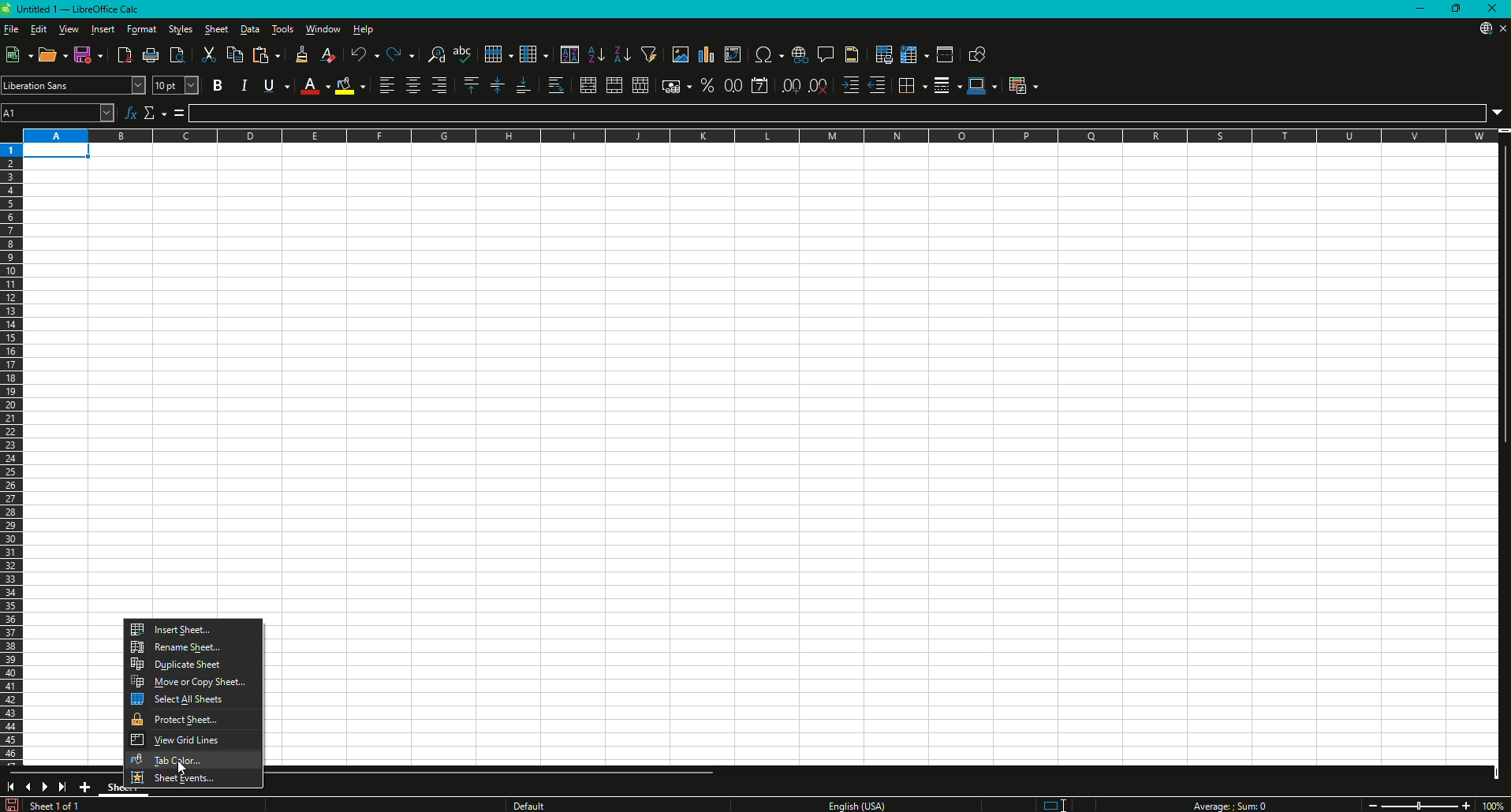 The width and height of the screenshot is (1511, 812). Describe the element at coordinates (12, 29) in the screenshot. I see `File` at that location.